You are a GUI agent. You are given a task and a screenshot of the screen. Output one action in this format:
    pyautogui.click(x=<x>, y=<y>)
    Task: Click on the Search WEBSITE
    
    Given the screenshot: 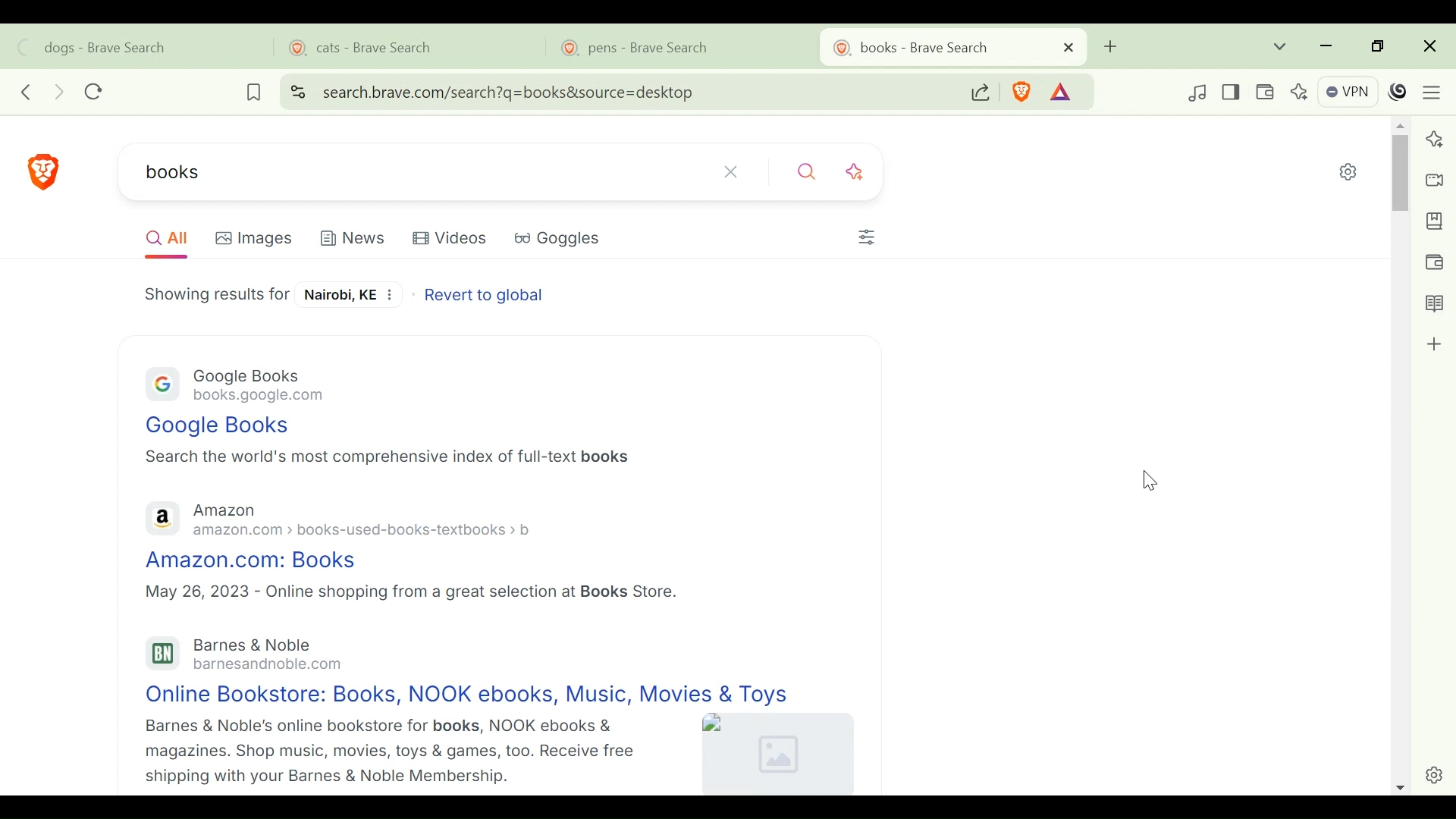 What is the action you would take?
    pyautogui.click(x=439, y=172)
    